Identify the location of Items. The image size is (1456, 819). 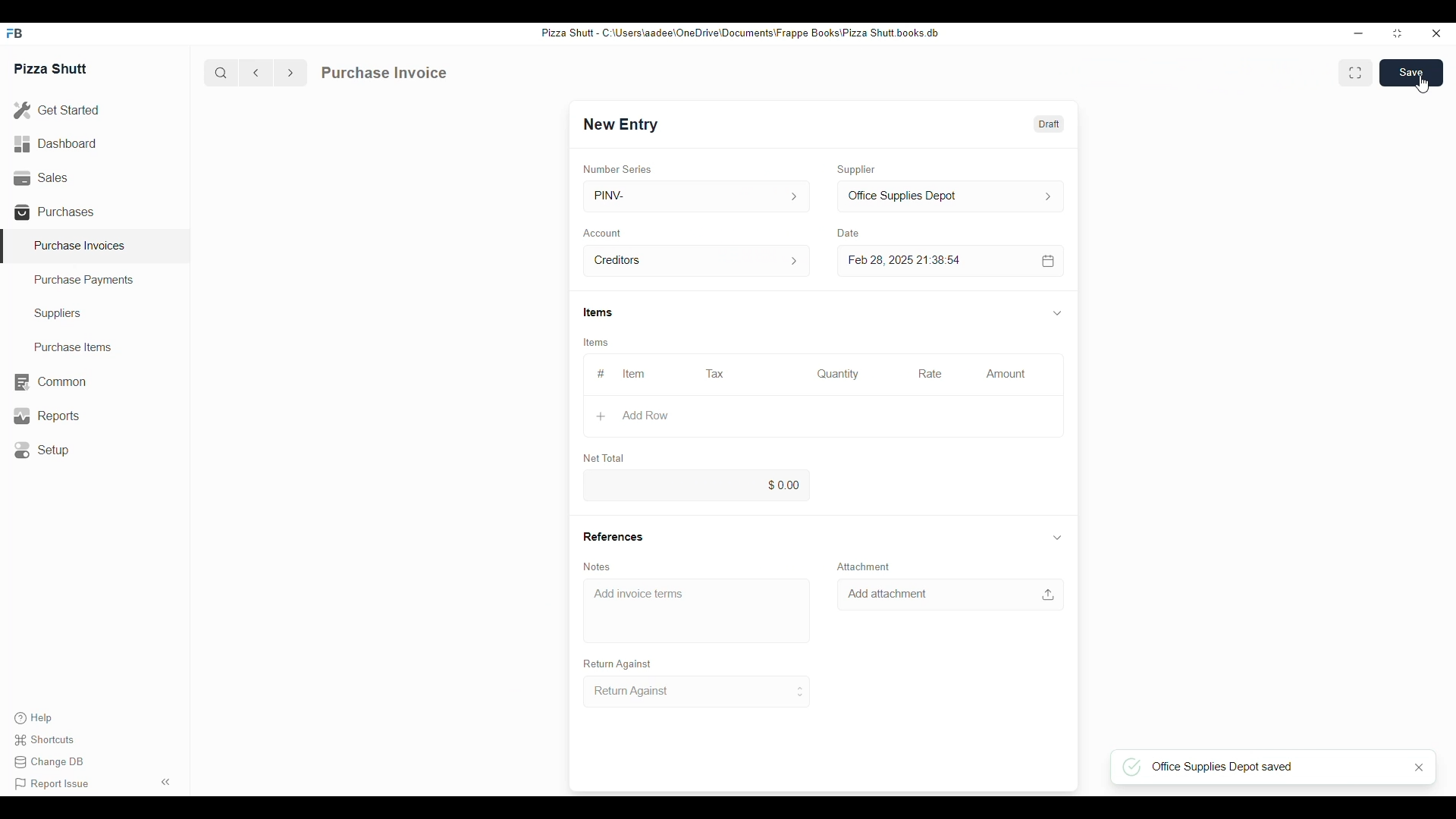
(595, 312).